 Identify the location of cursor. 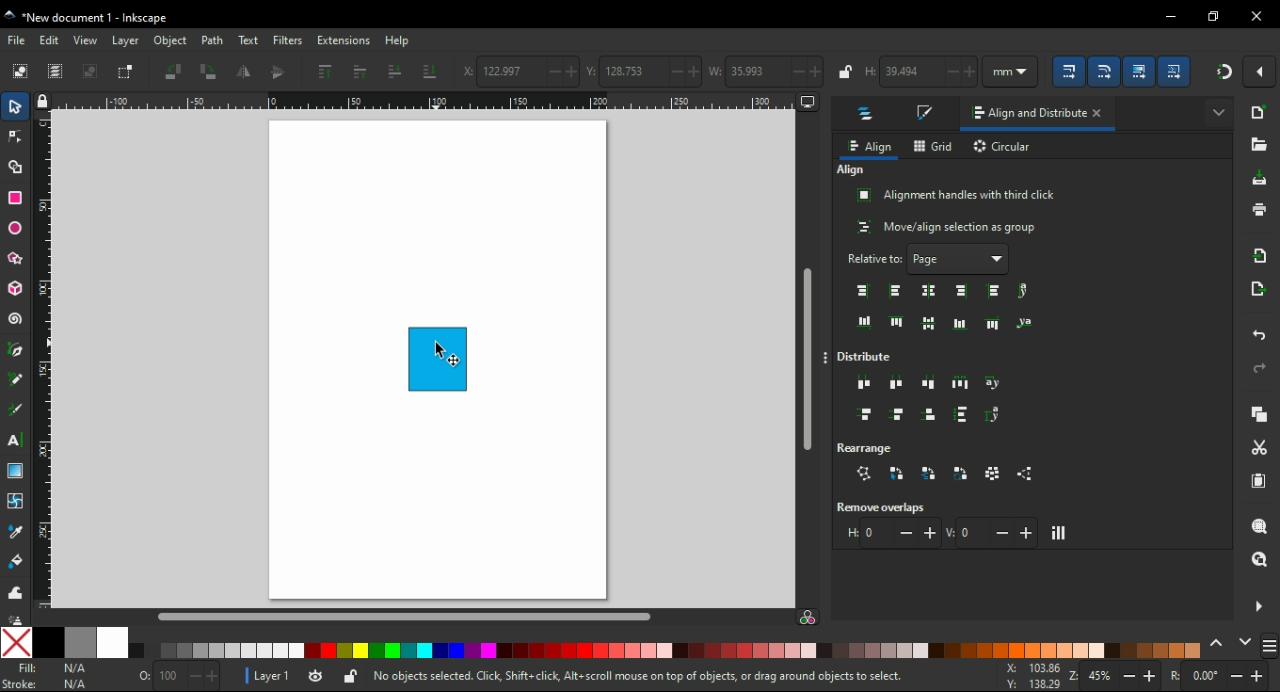
(442, 349).